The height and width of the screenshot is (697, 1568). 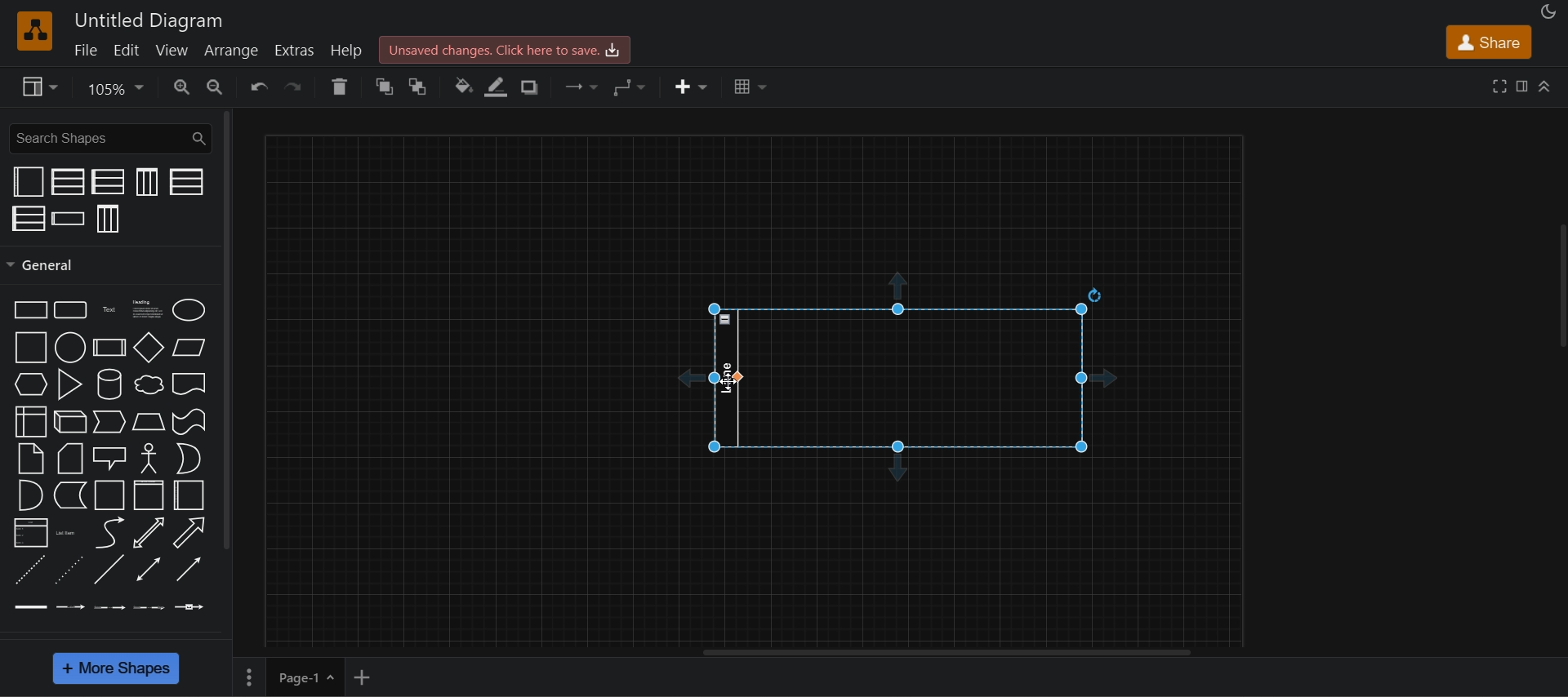 I want to click on connector with 2 labels, so click(x=110, y=609).